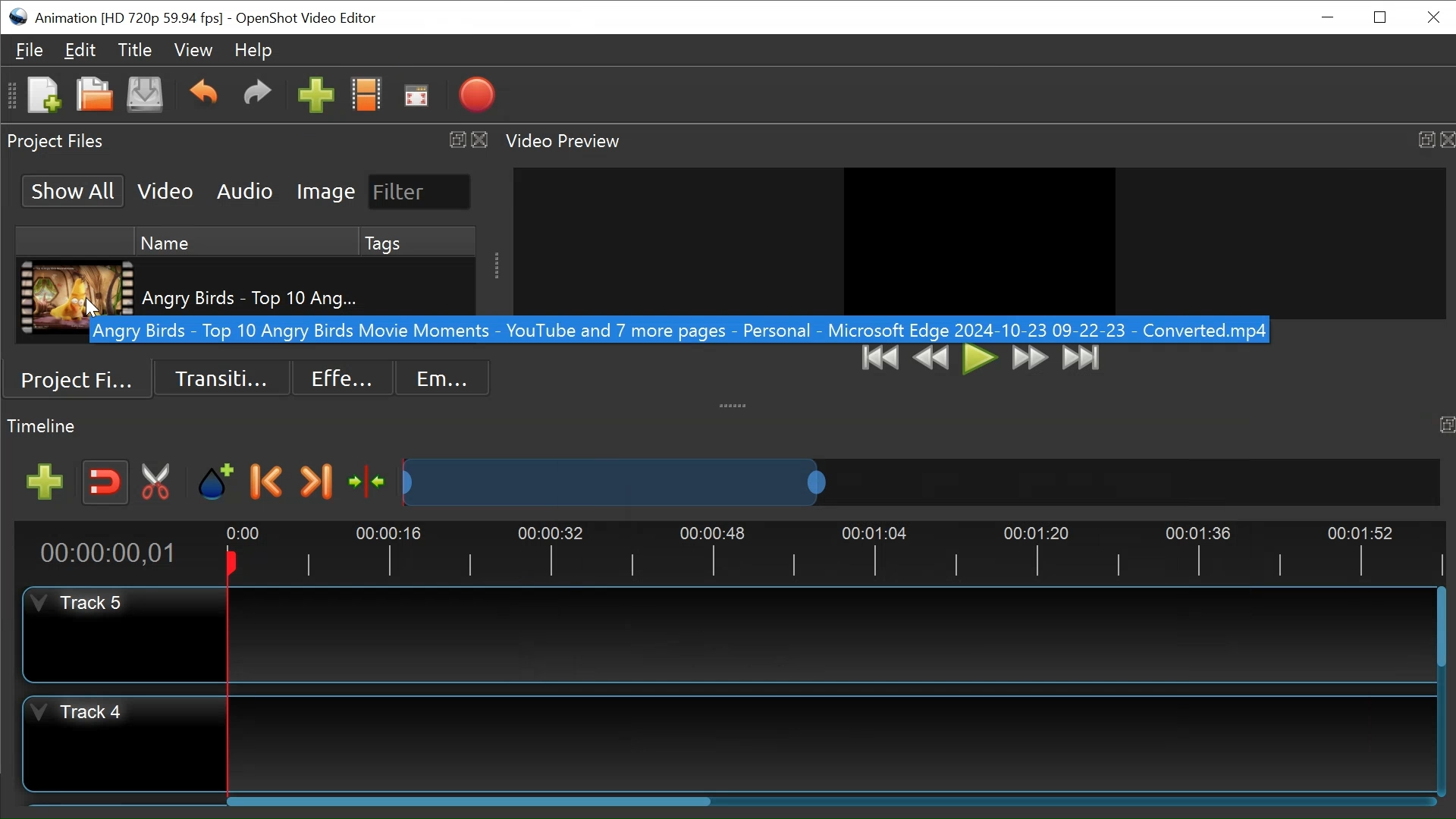  Describe the element at coordinates (17, 17) in the screenshot. I see `OpenShot Desktop Icon` at that location.